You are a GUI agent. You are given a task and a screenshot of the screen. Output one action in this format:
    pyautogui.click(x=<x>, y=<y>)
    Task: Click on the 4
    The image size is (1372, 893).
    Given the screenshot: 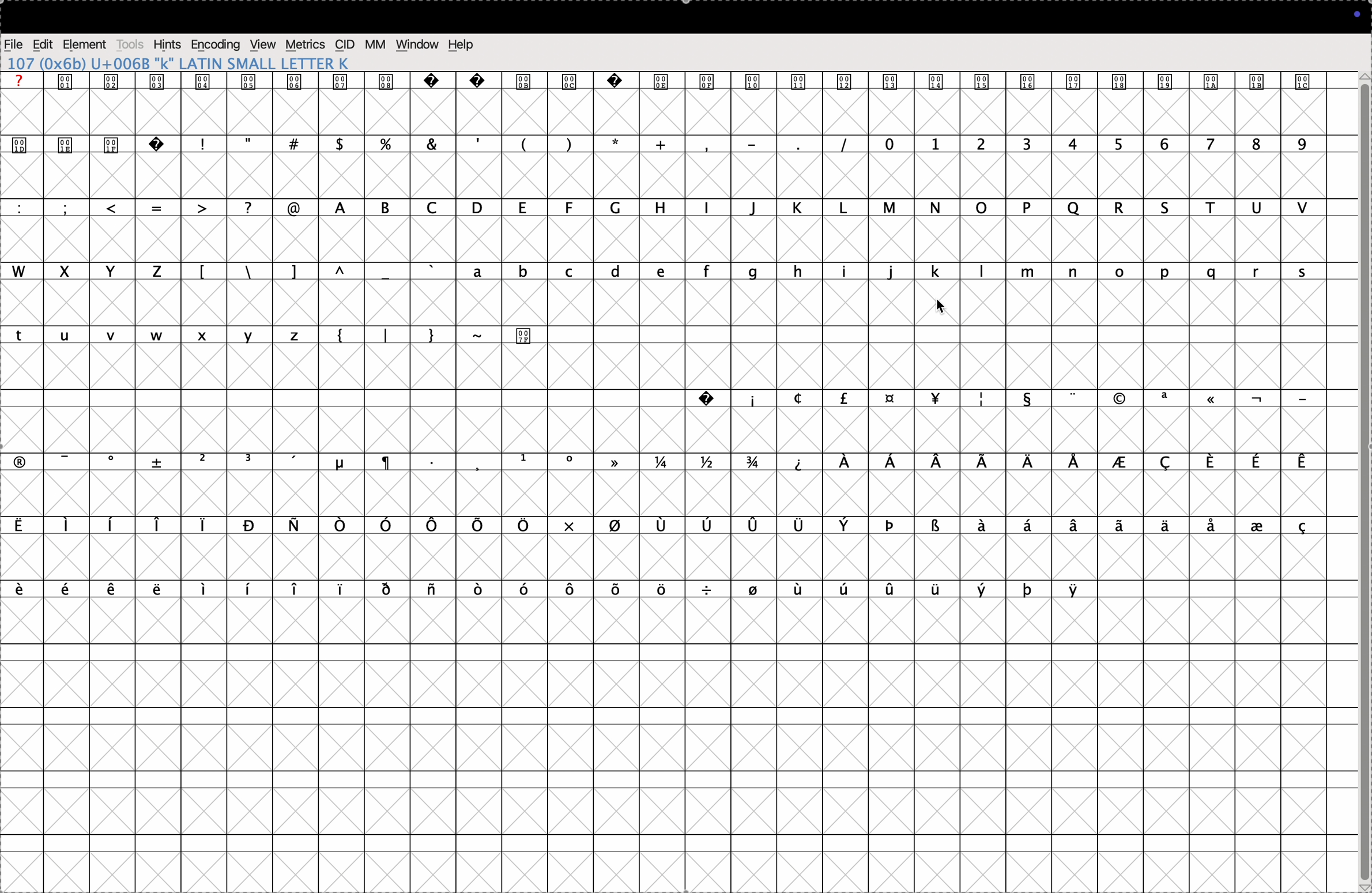 What is the action you would take?
    pyautogui.click(x=1071, y=144)
    